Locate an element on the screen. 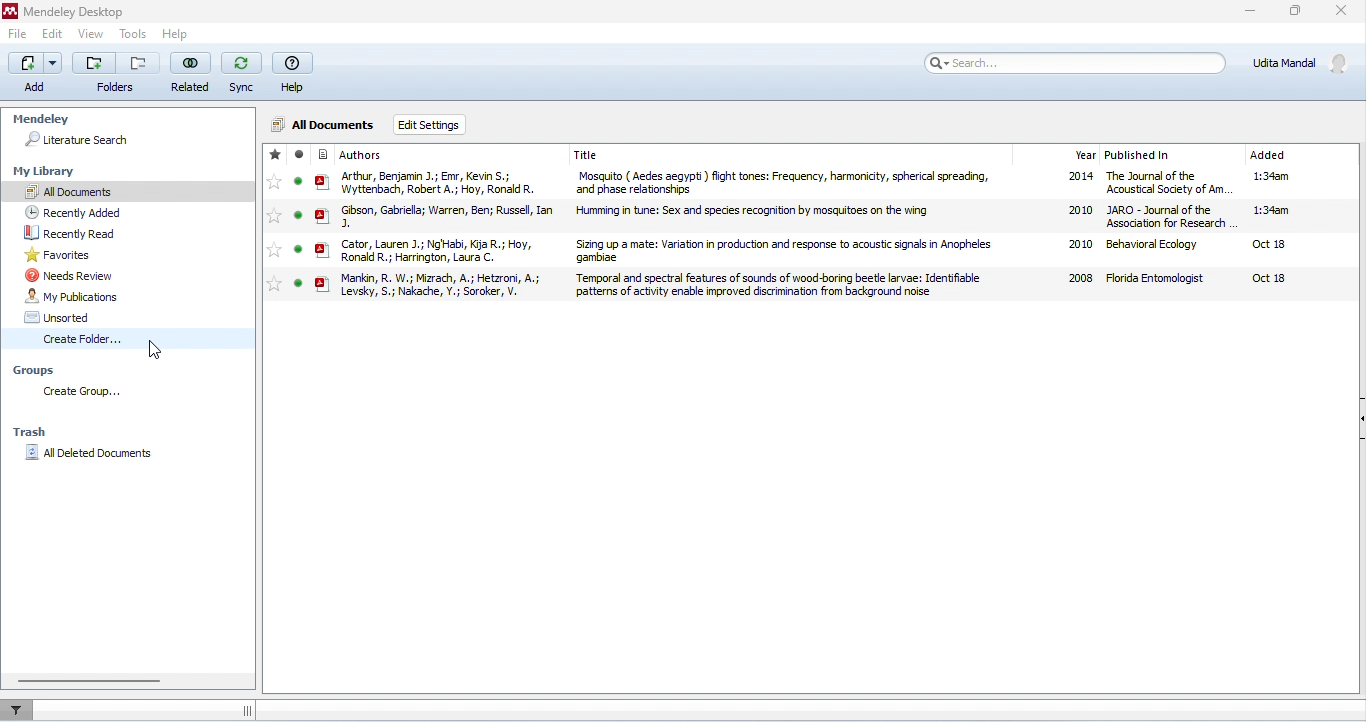 The height and width of the screenshot is (722, 1366). authors is located at coordinates (351, 154).